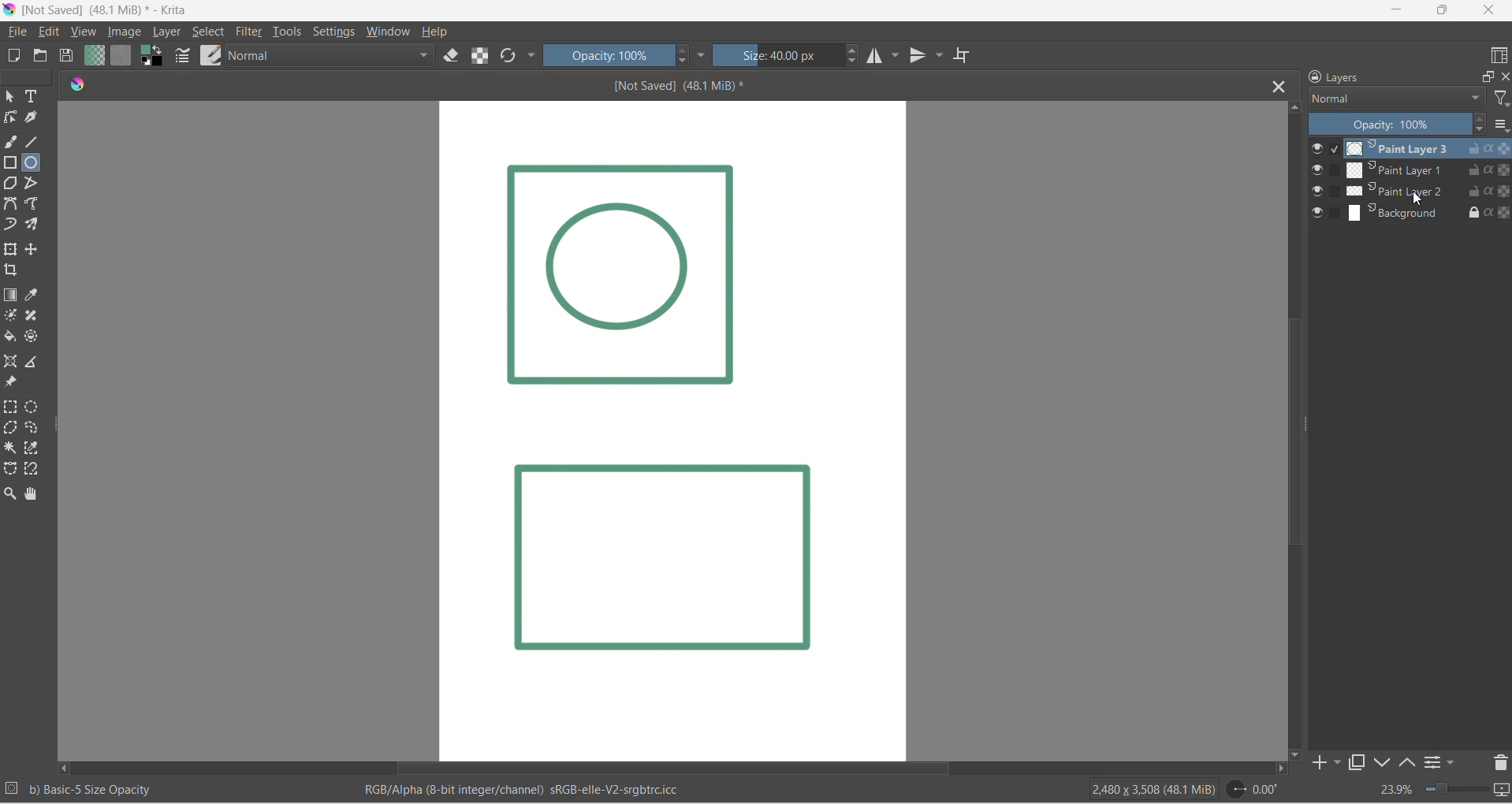 This screenshot has width=1512, height=804. Describe the element at coordinates (246, 33) in the screenshot. I see `filter` at that location.